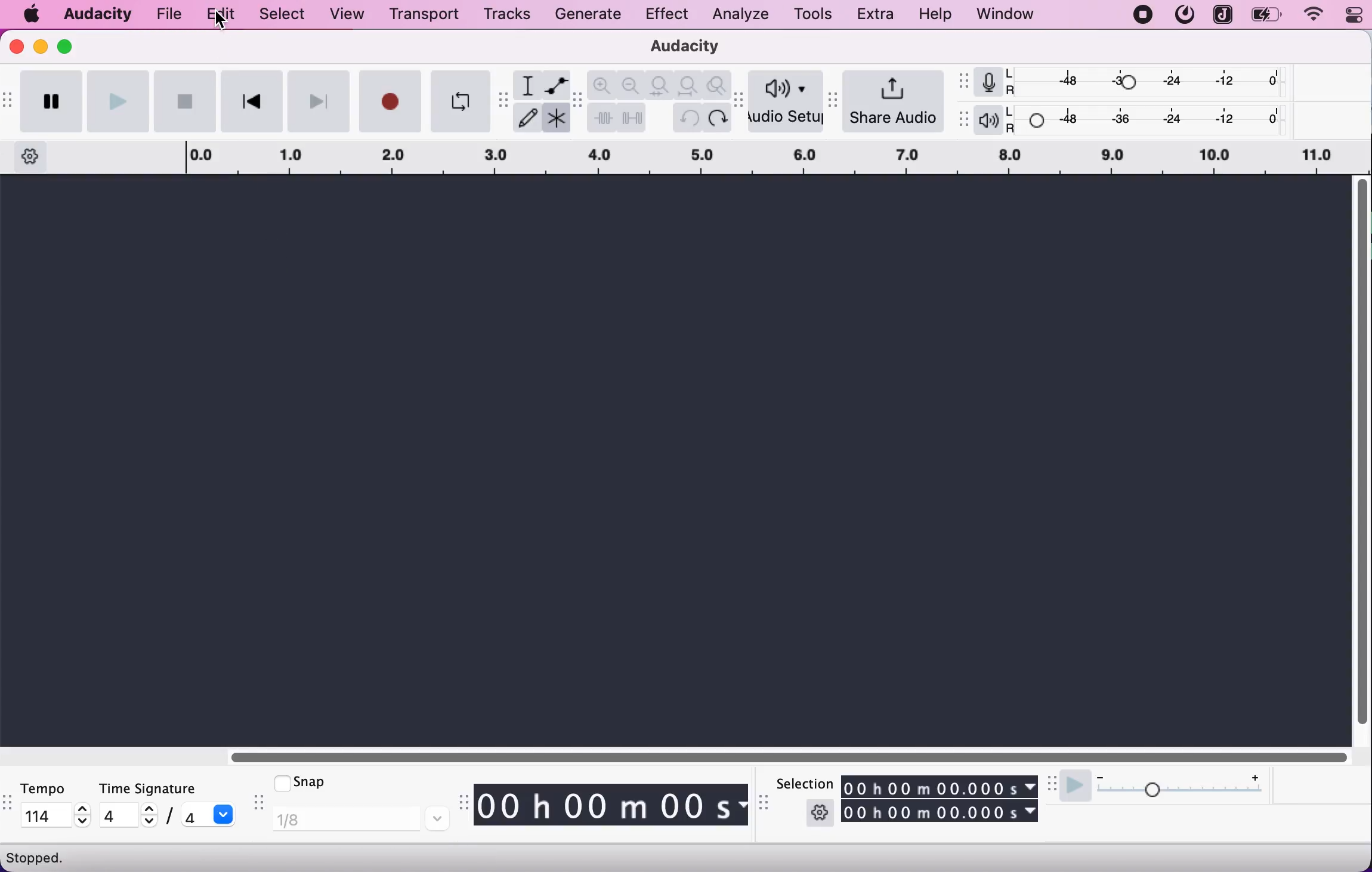  What do you see at coordinates (319, 101) in the screenshot?
I see `skip to end` at bounding box center [319, 101].